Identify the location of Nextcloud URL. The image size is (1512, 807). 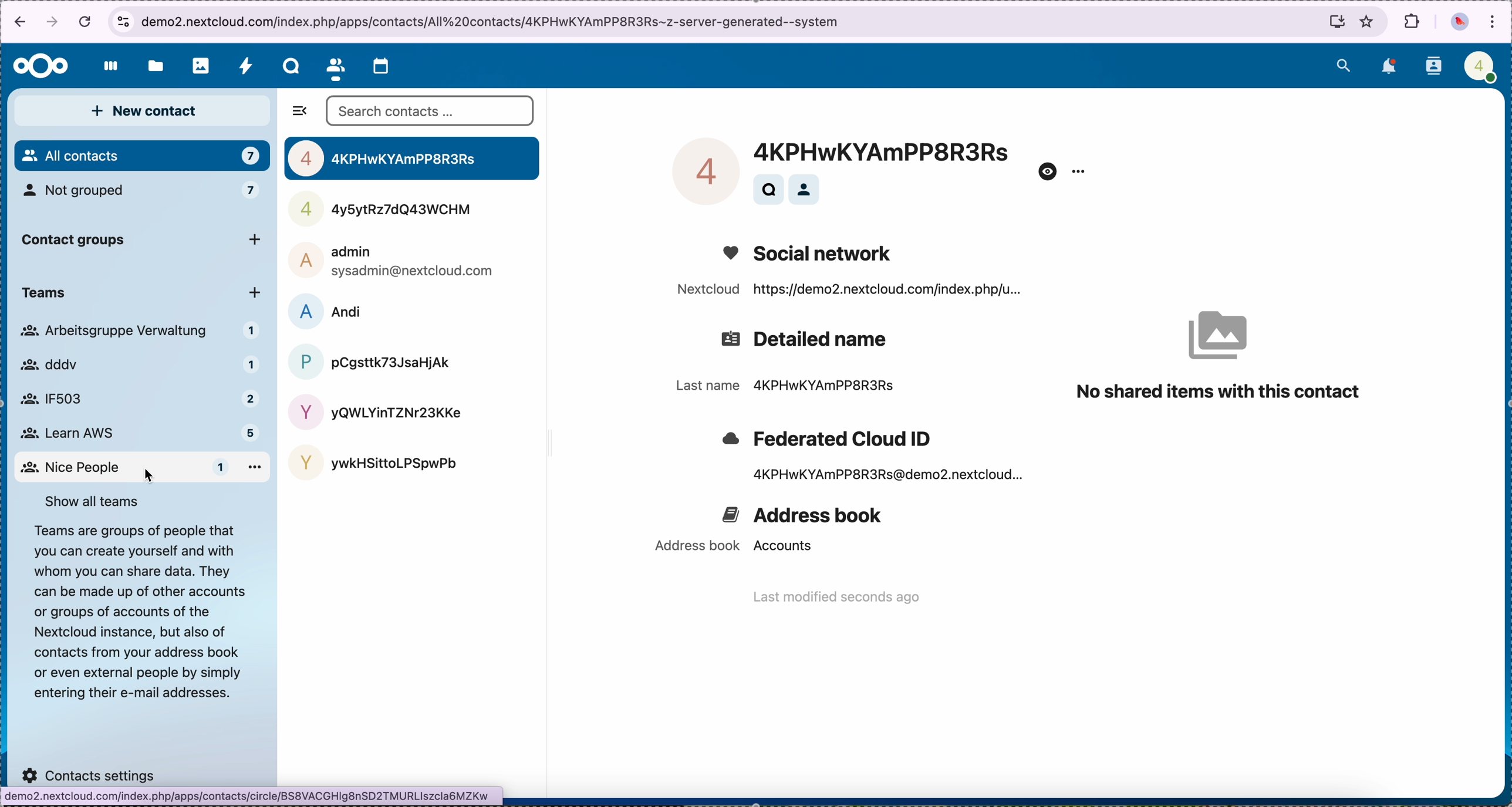
(846, 292).